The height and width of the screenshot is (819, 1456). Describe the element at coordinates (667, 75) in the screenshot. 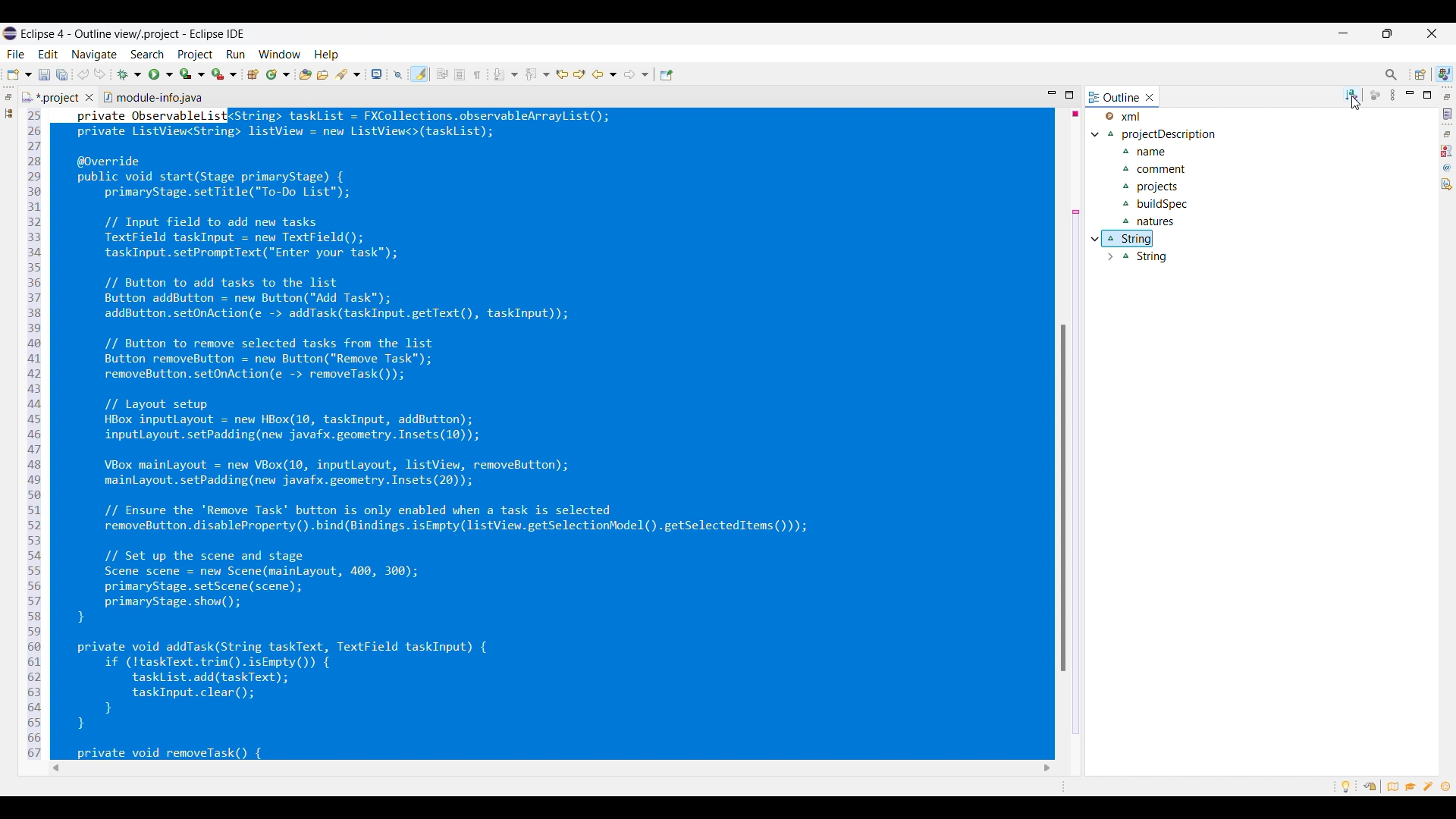

I see `Pin editor` at that location.